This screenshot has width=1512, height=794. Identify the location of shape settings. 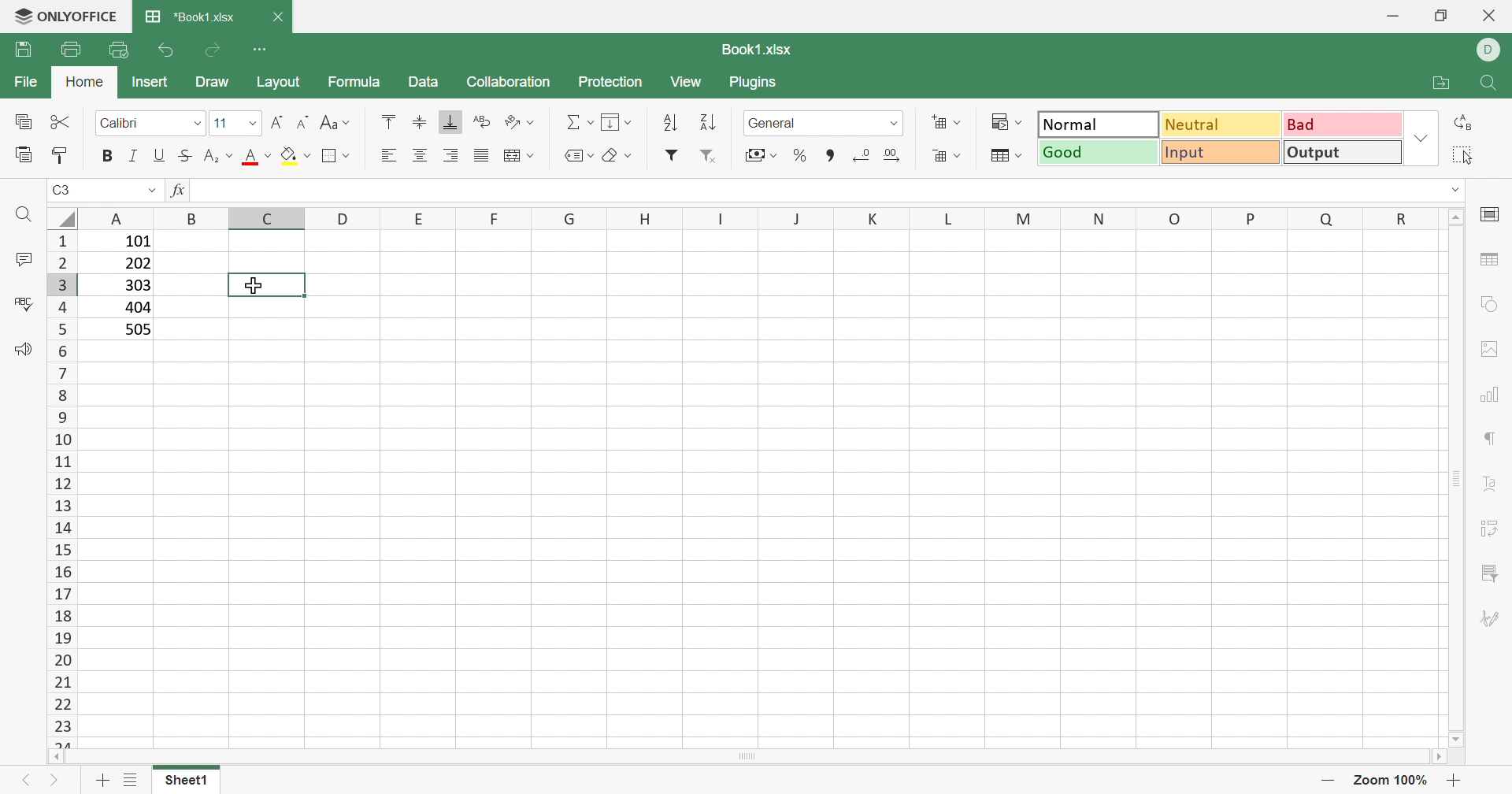
(1491, 302).